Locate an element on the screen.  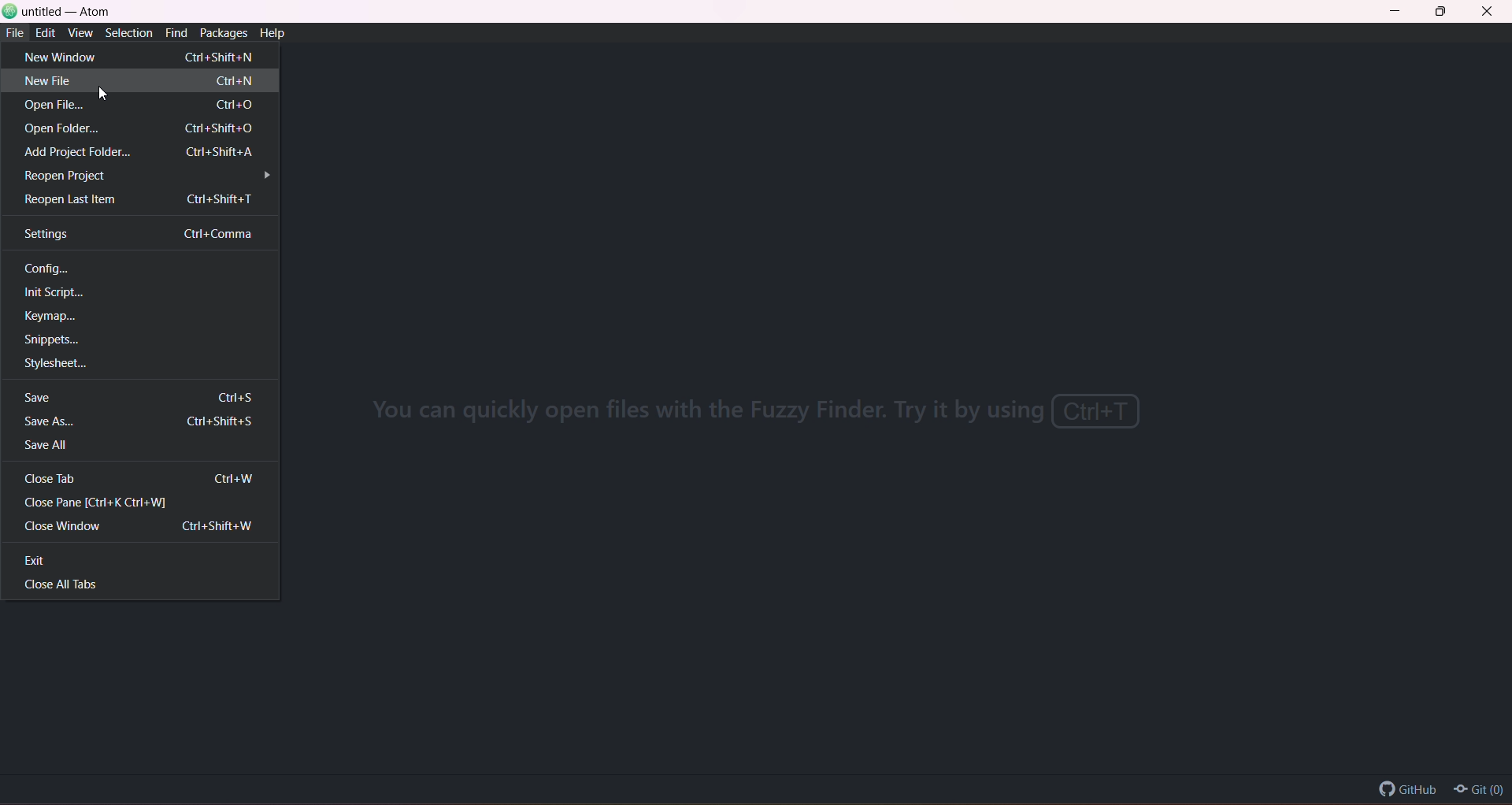
Selection is located at coordinates (127, 32).